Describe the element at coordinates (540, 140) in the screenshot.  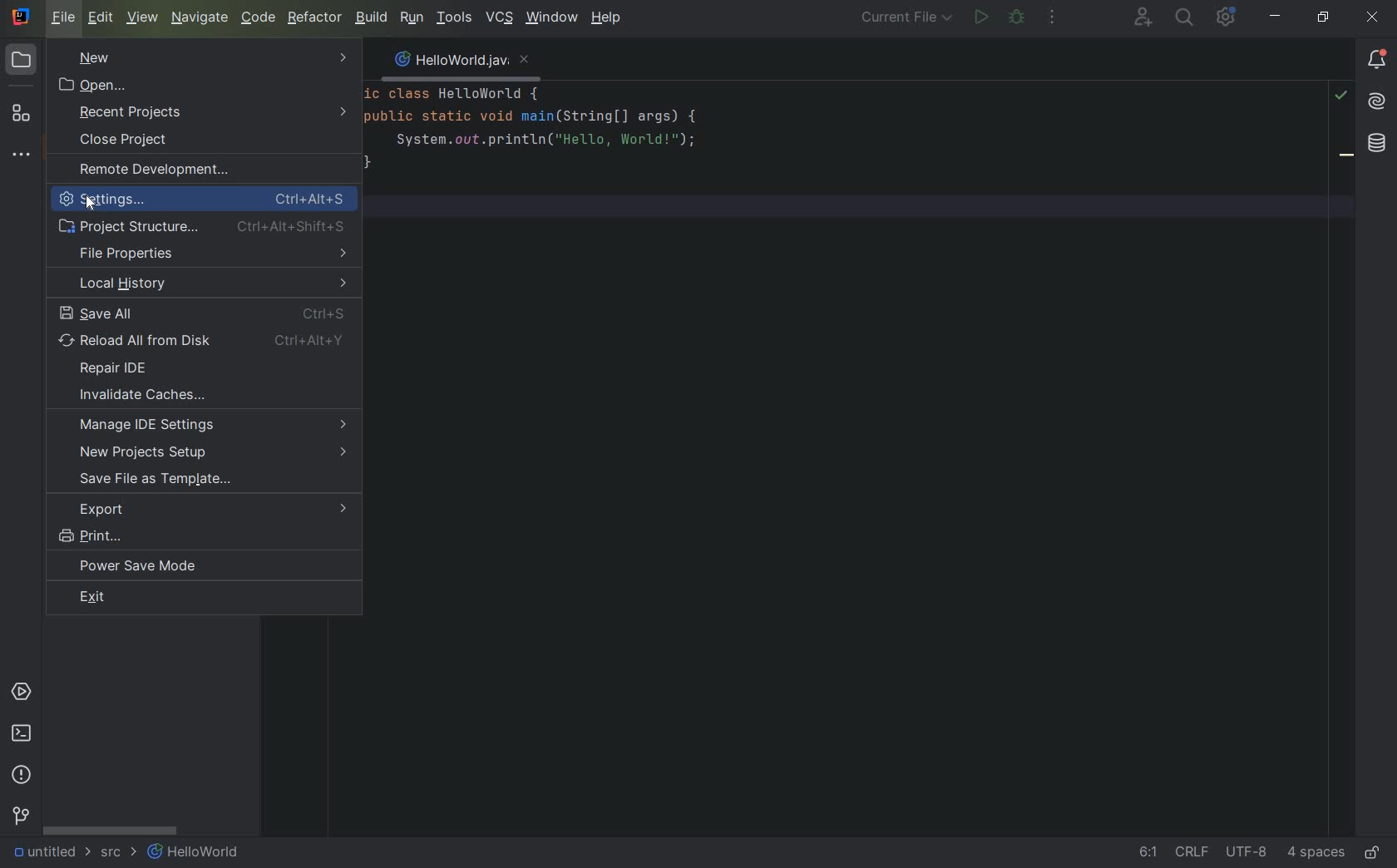
I see `code` at that location.